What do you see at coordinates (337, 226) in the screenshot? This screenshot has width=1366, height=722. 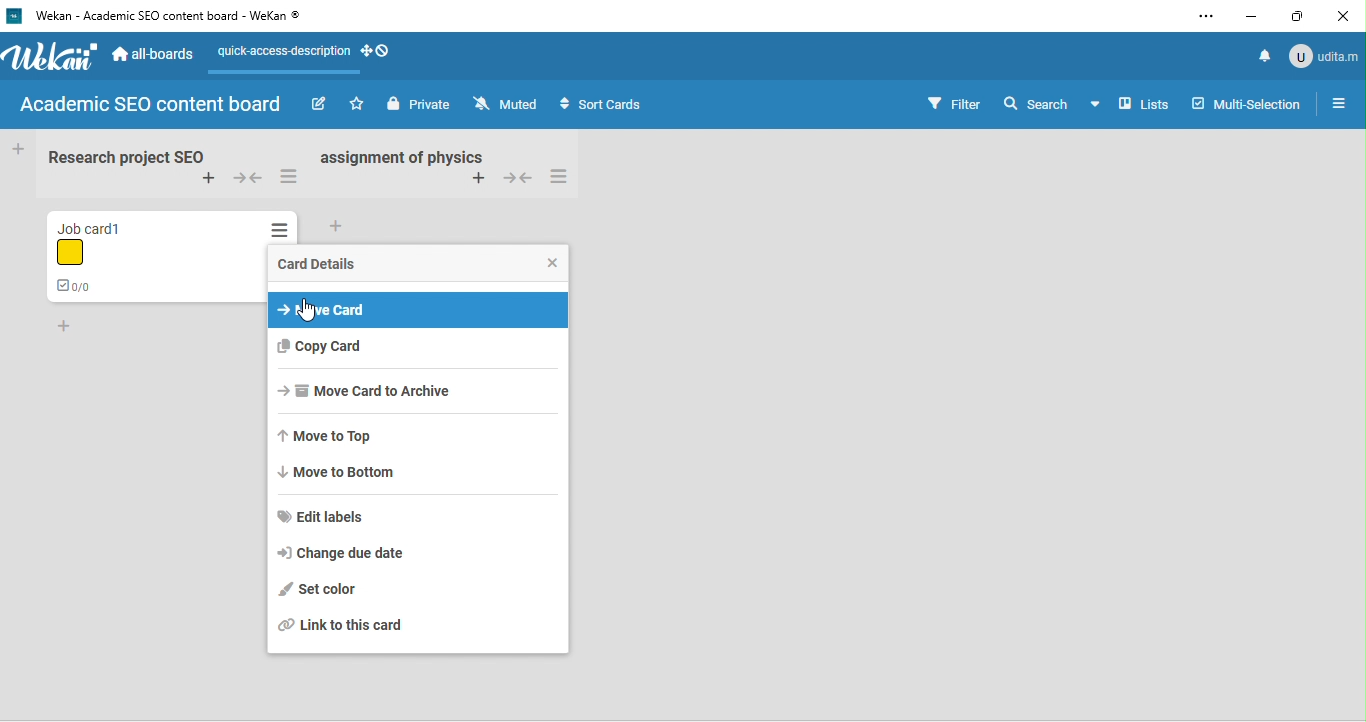 I see `add card` at bounding box center [337, 226].